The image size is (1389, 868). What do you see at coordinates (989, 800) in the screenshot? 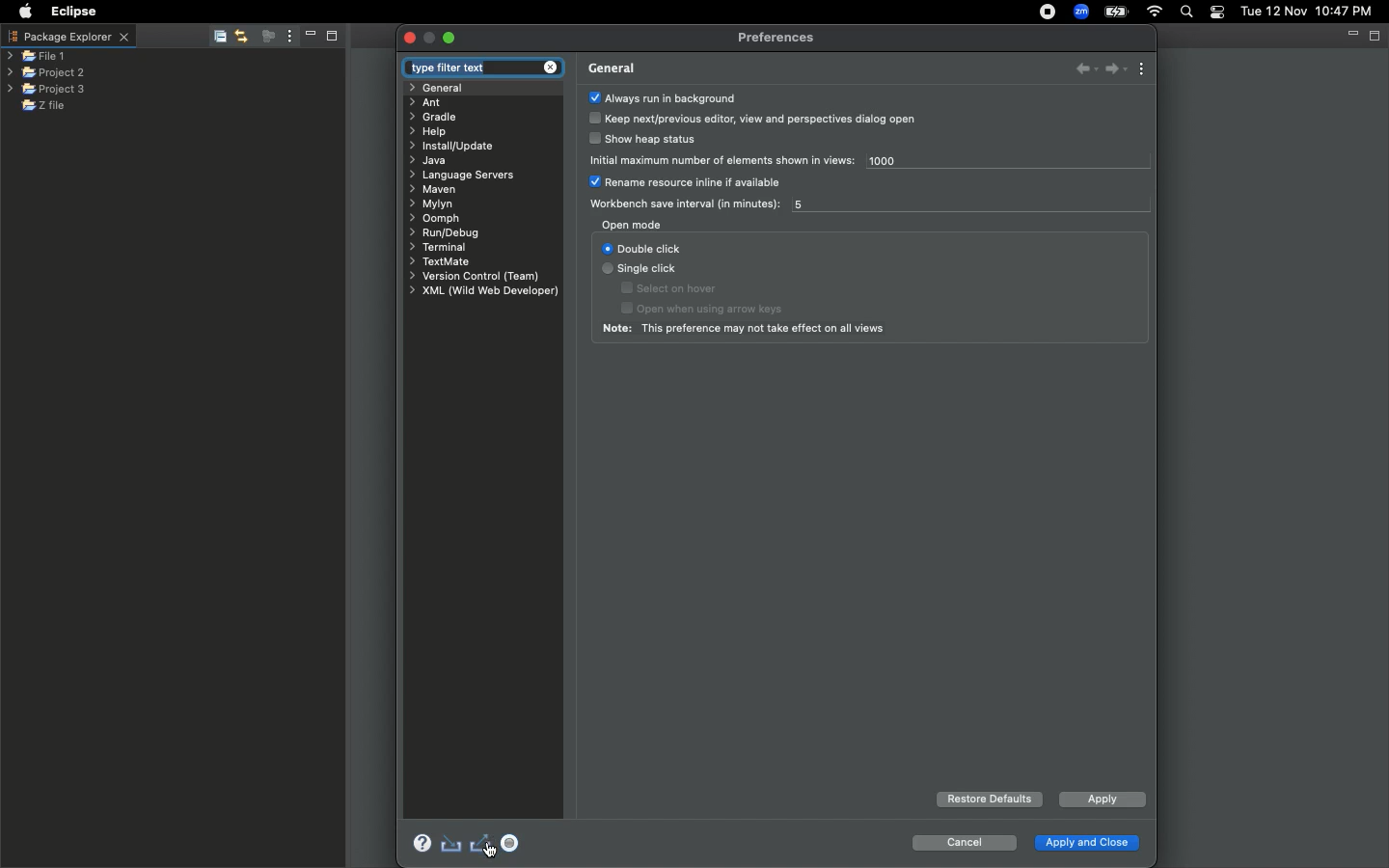
I see `Restore defaults` at bounding box center [989, 800].